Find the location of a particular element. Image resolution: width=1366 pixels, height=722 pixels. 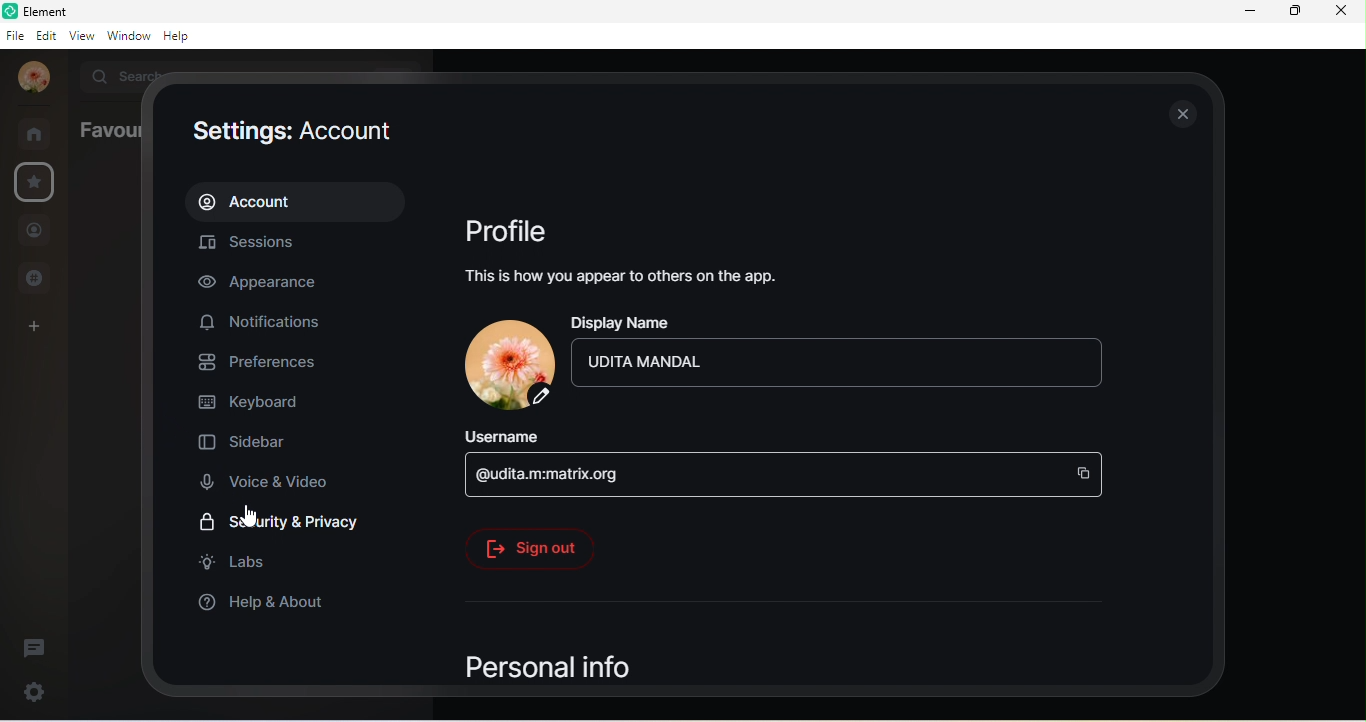

maximize is located at coordinates (1292, 12).